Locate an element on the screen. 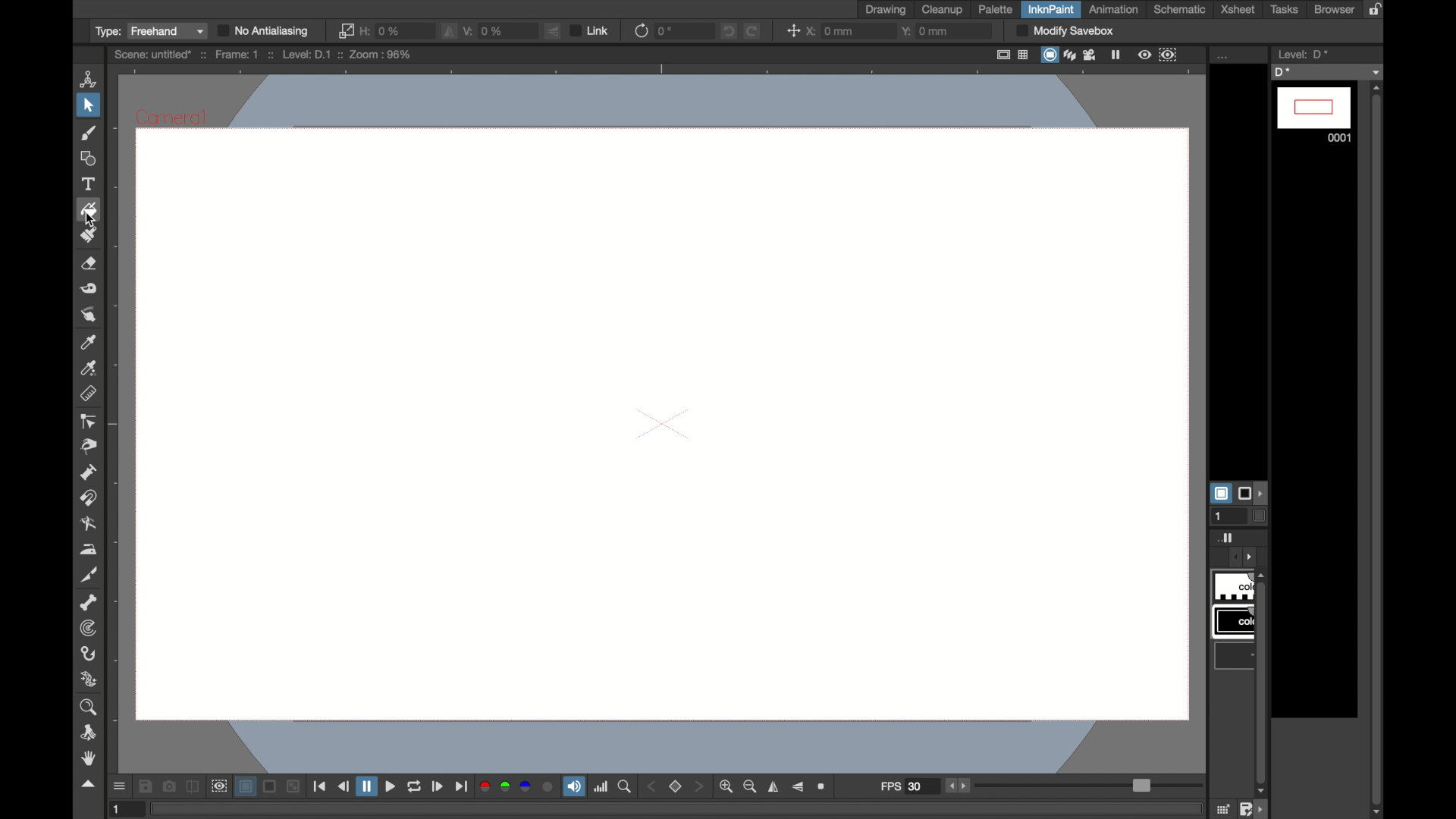 The width and height of the screenshot is (1456, 819). paint brush tool is located at coordinates (86, 133).